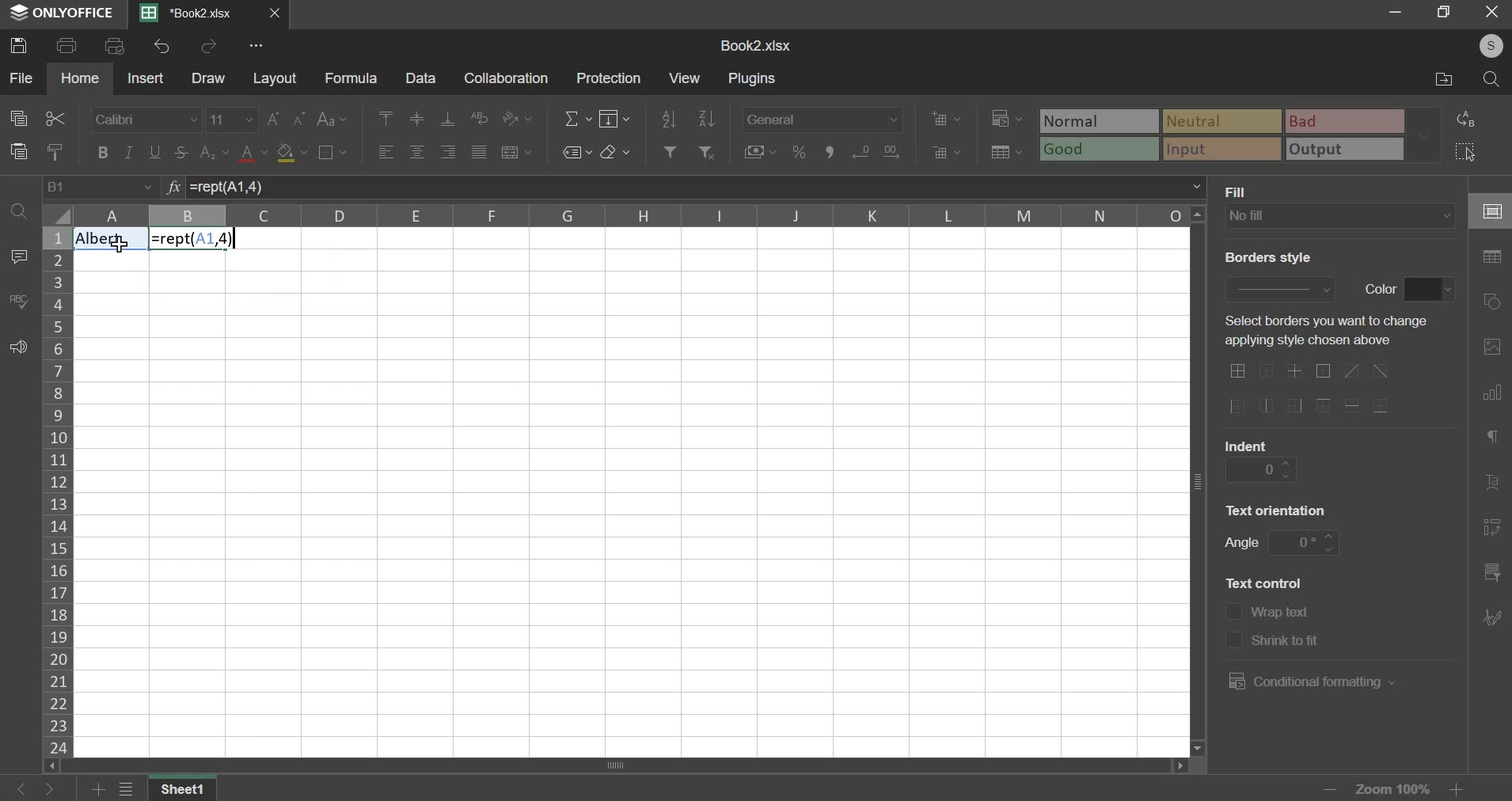  Describe the element at coordinates (173, 186) in the screenshot. I see `function` at that location.